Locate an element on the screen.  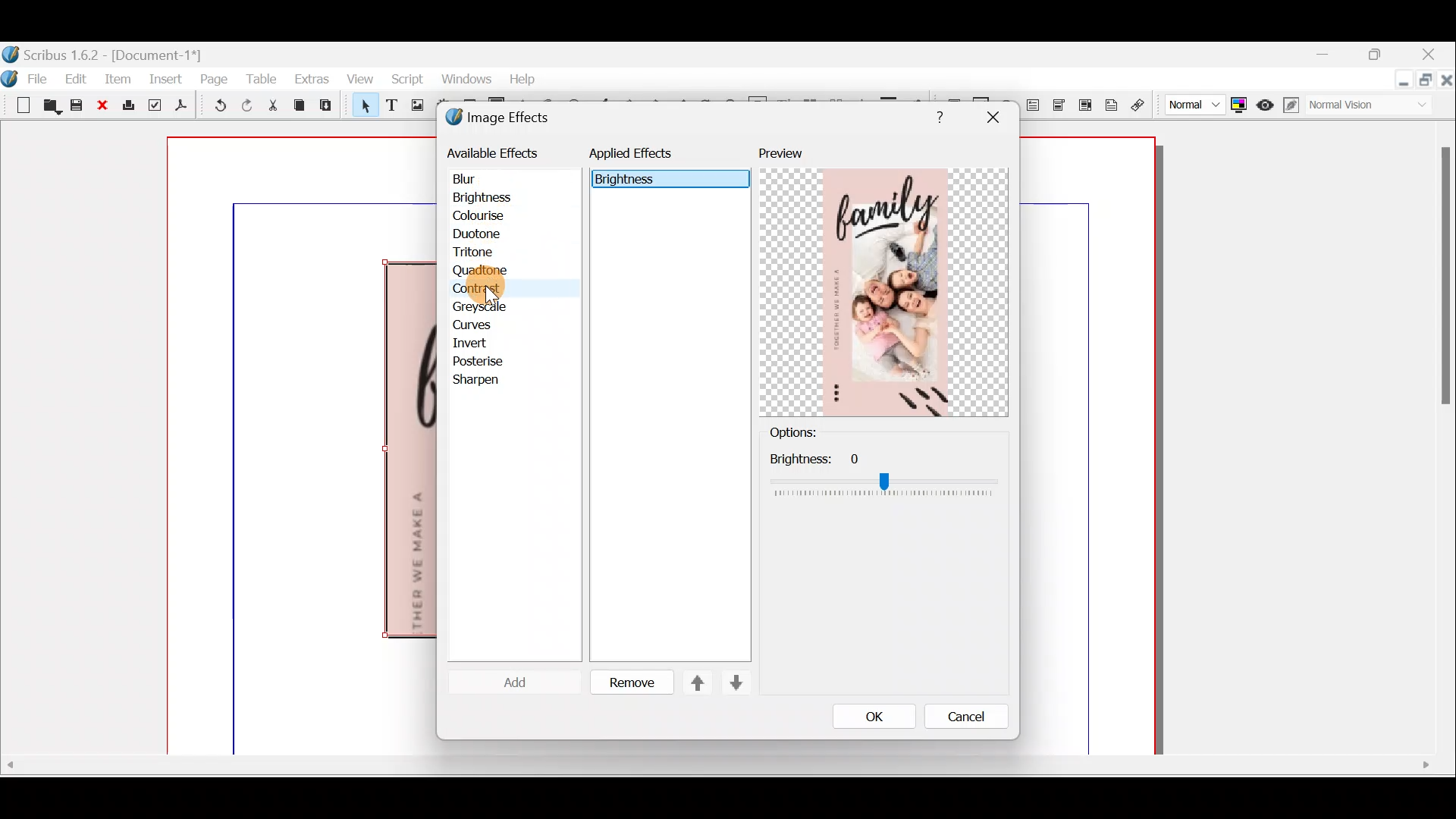
Maximise is located at coordinates (1427, 82).